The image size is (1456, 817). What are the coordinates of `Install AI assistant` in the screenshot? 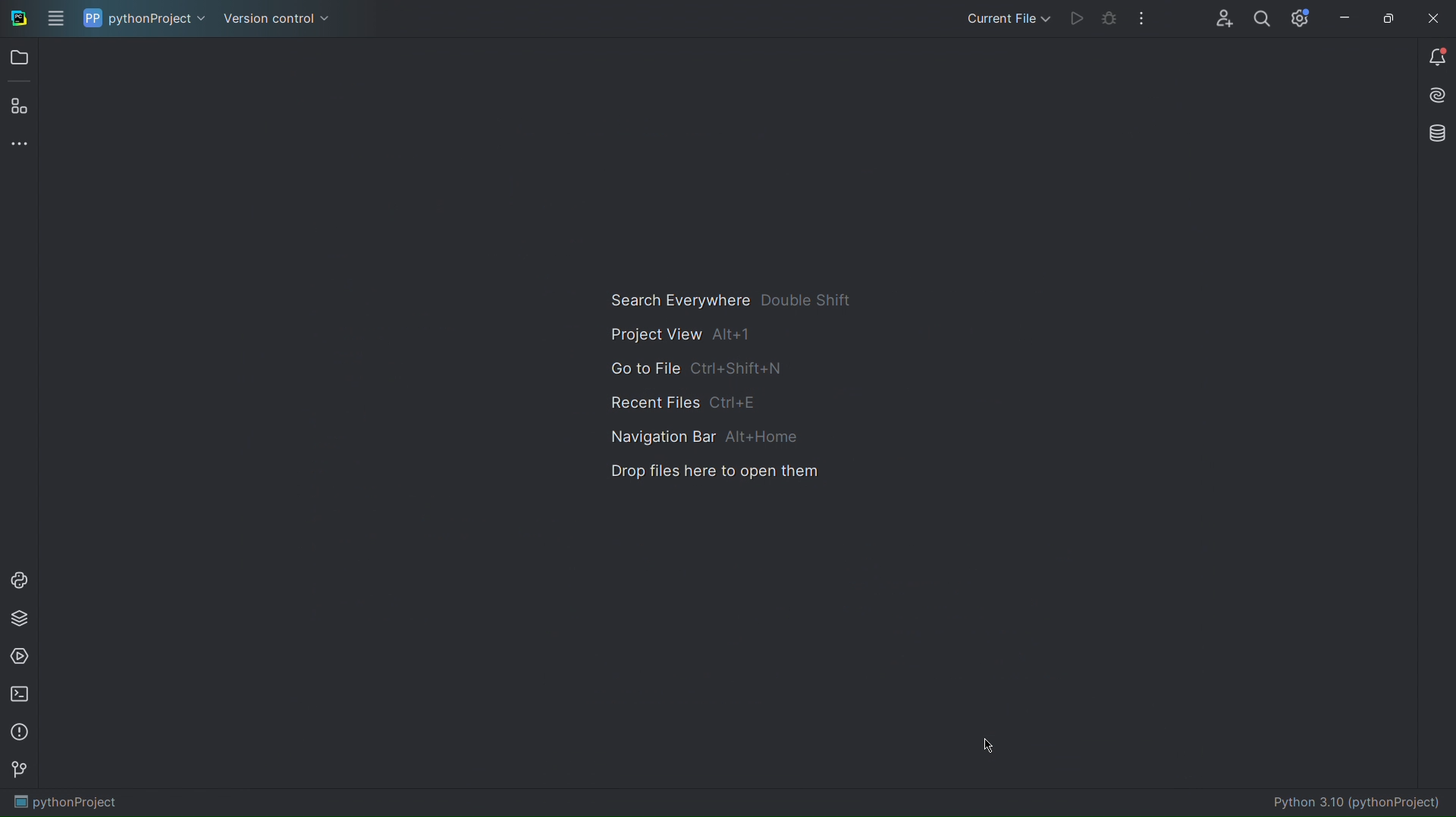 It's located at (1437, 93).